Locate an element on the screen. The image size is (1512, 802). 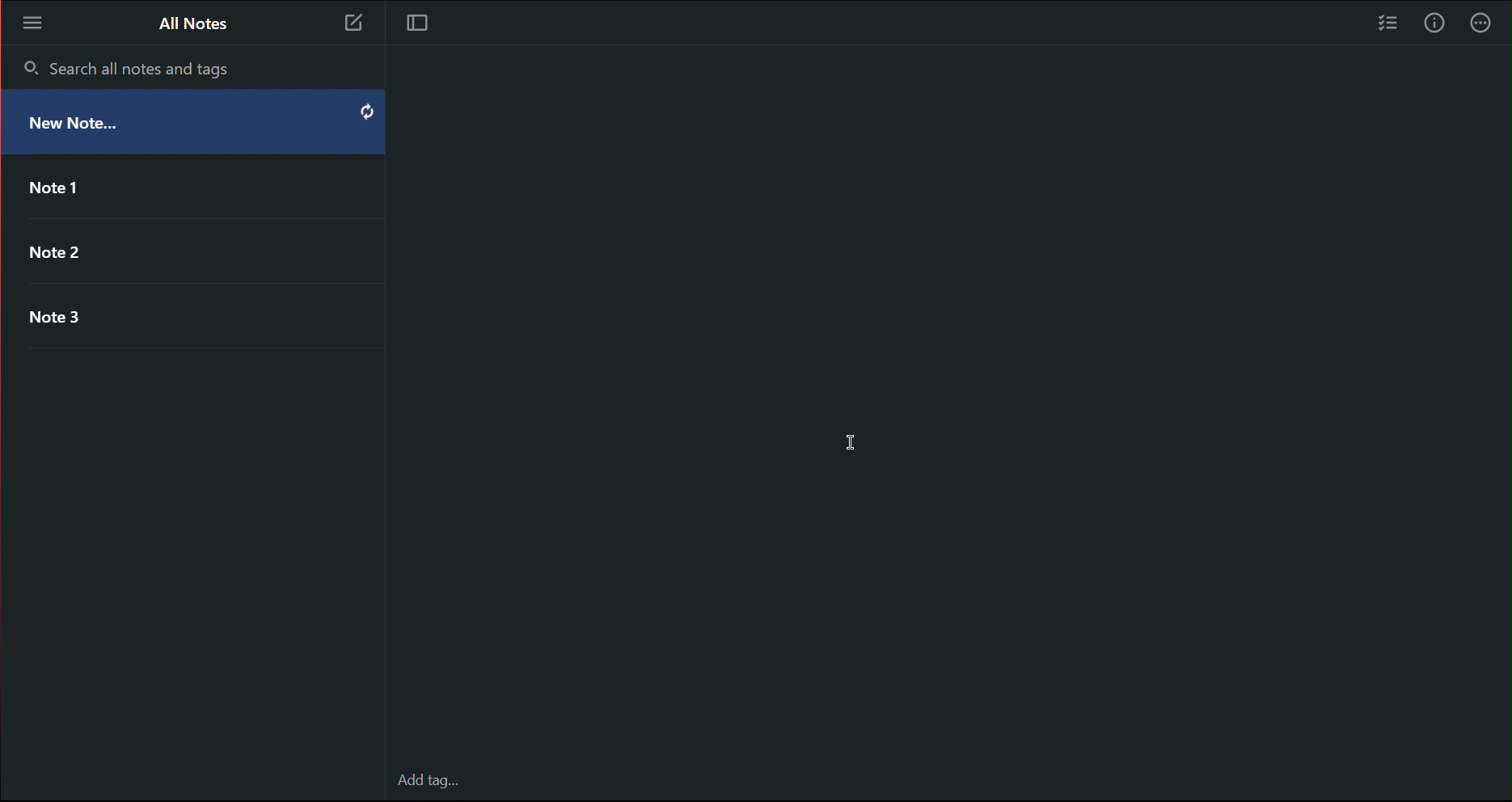
add Tags is located at coordinates (471, 776).